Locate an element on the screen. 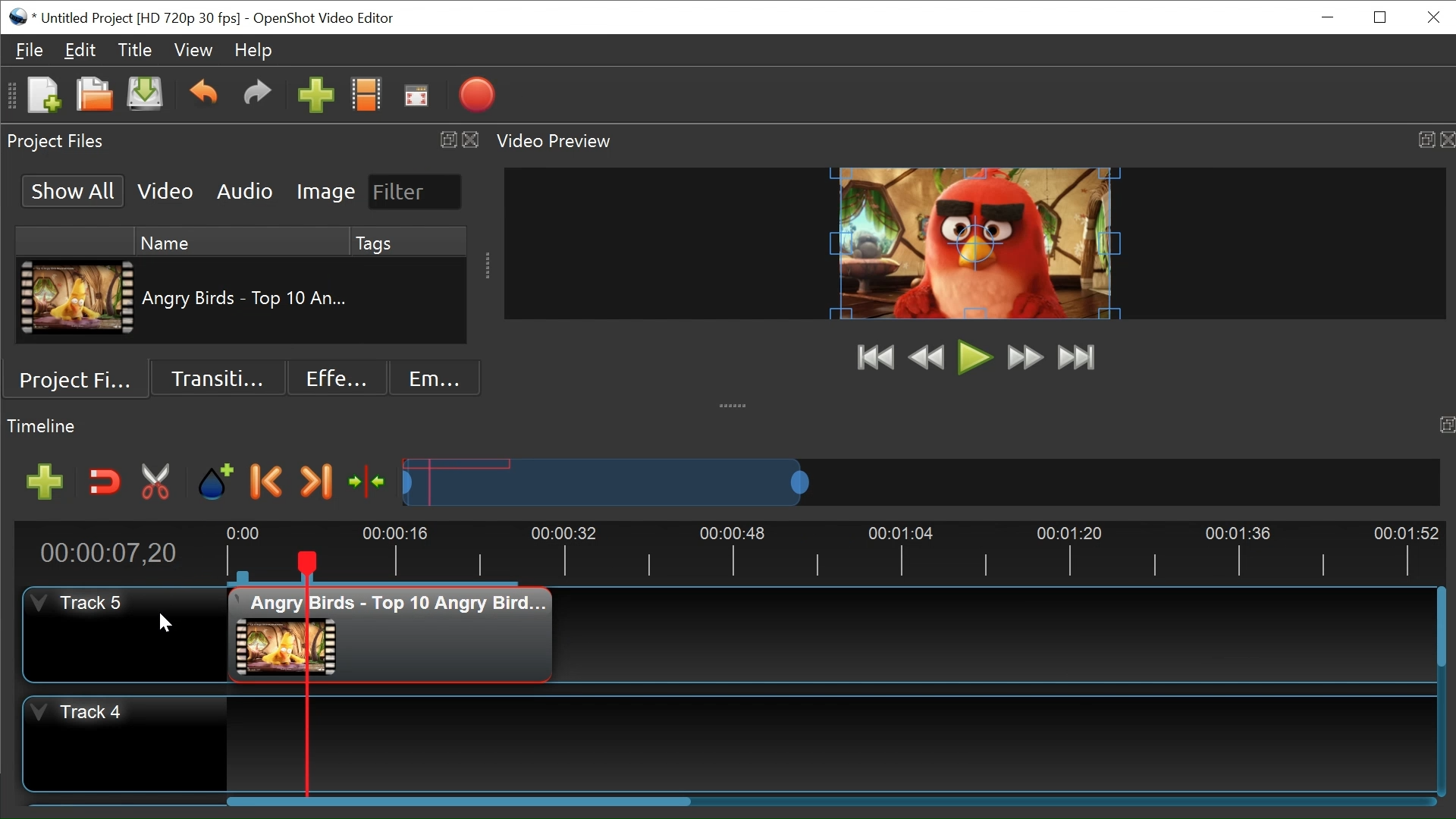 Image resolution: width=1456 pixels, height=819 pixels. Close is located at coordinates (1435, 18).